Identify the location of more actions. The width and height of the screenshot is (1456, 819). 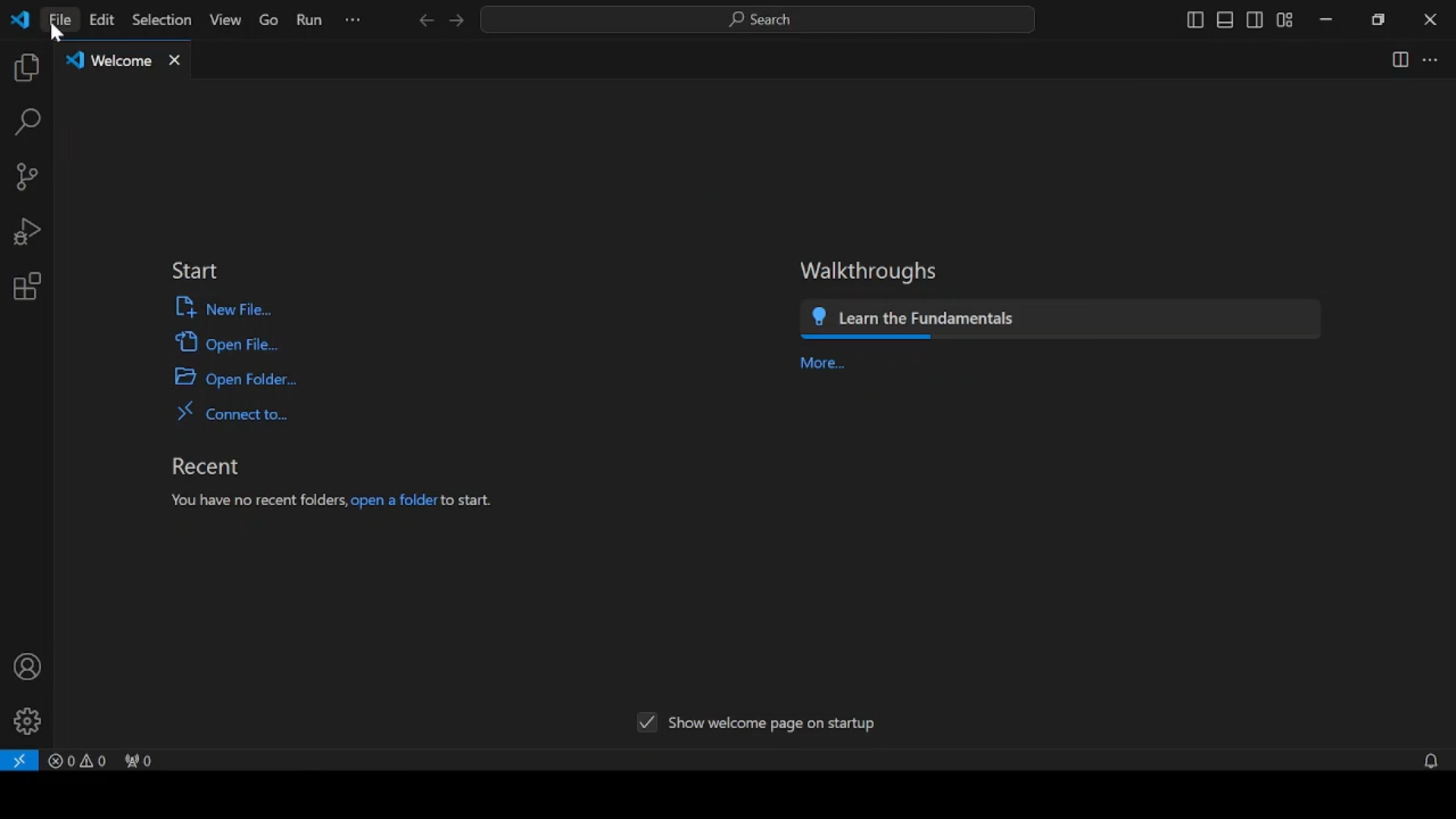
(1431, 60).